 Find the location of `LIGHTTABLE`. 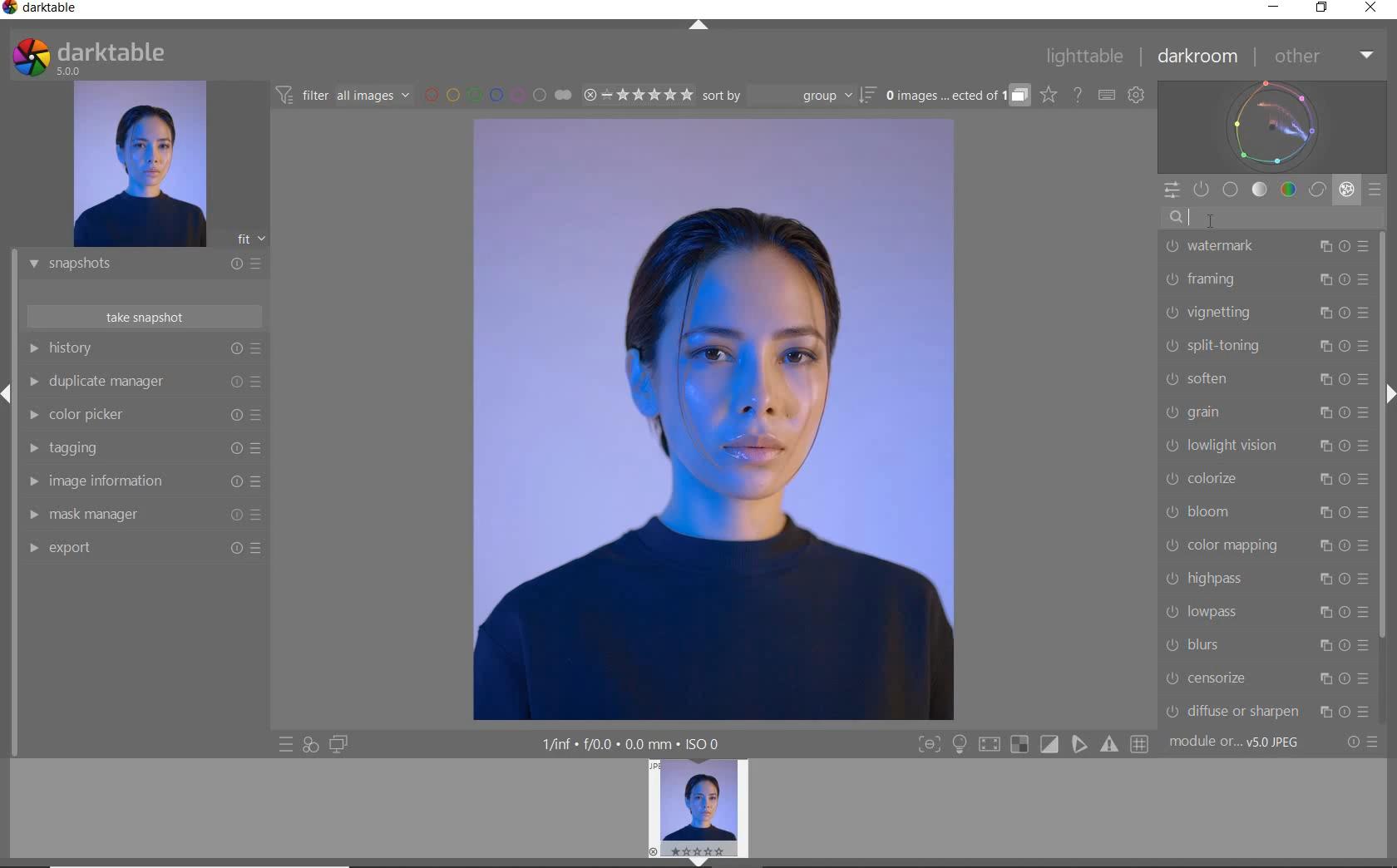

LIGHTTABLE is located at coordinates (1085, 59).